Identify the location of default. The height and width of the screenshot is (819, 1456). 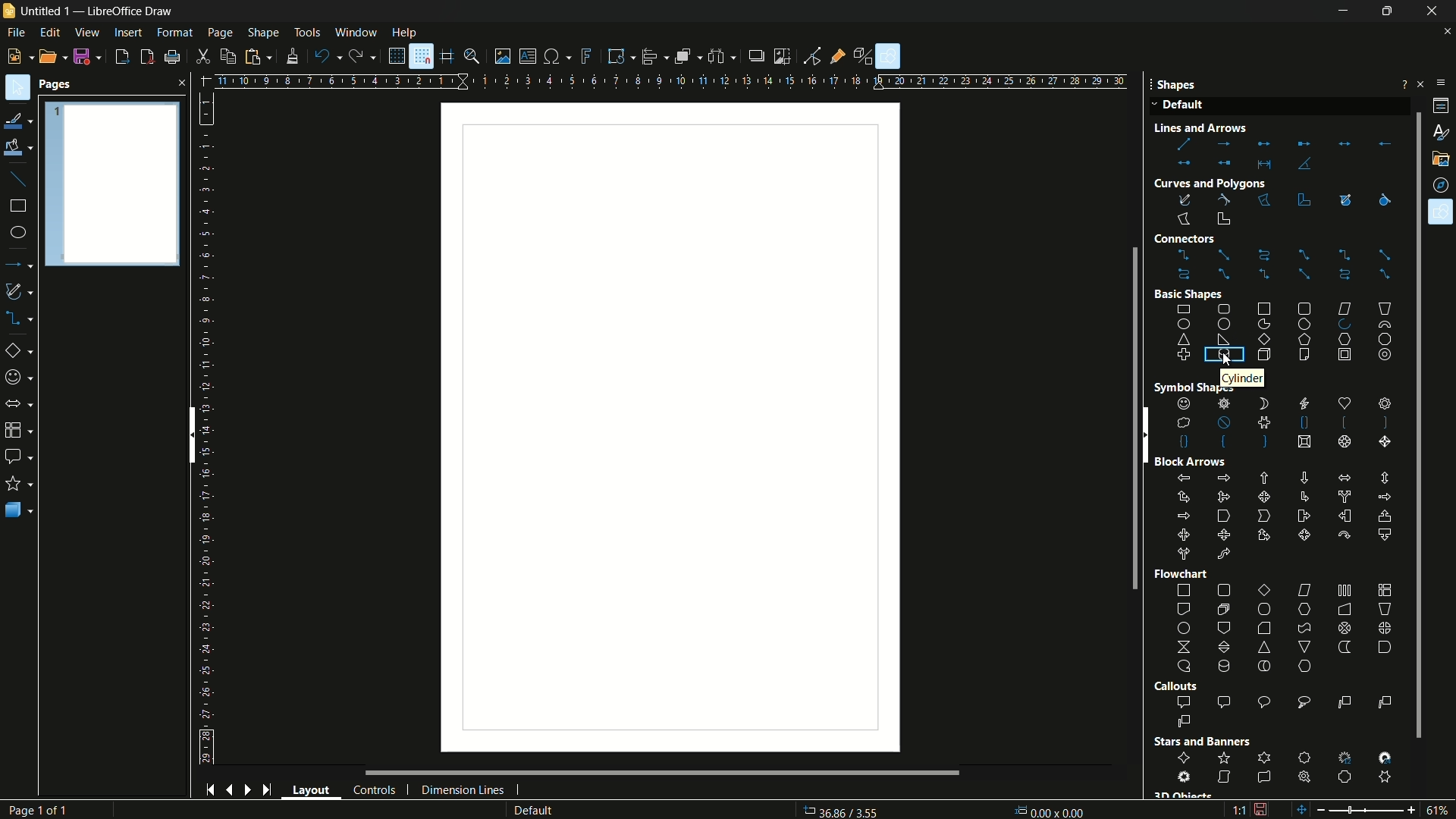
(554, 810).